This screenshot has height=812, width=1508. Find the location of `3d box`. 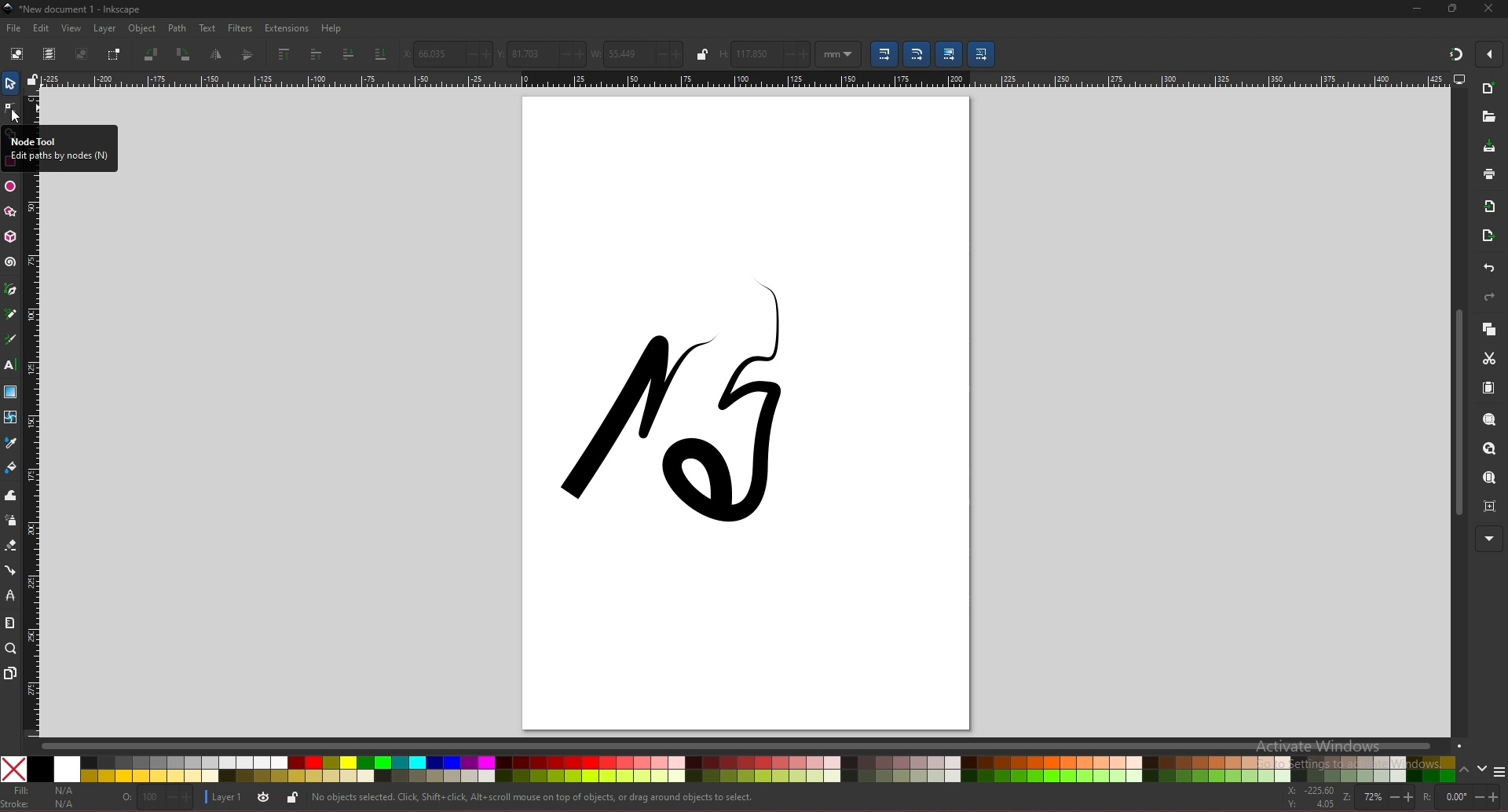

3d box is located at coordinates (11, 237).